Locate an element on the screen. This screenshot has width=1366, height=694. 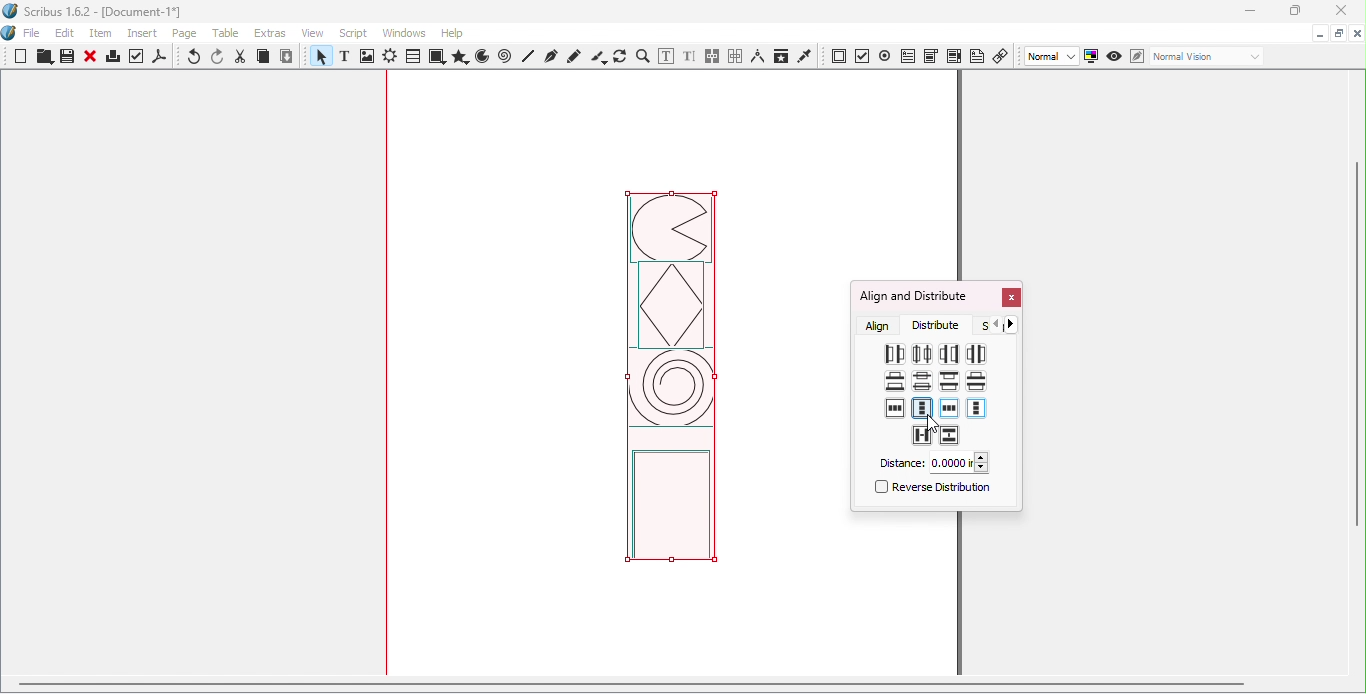
Zoom in or out is located at coordinates (642, 56).